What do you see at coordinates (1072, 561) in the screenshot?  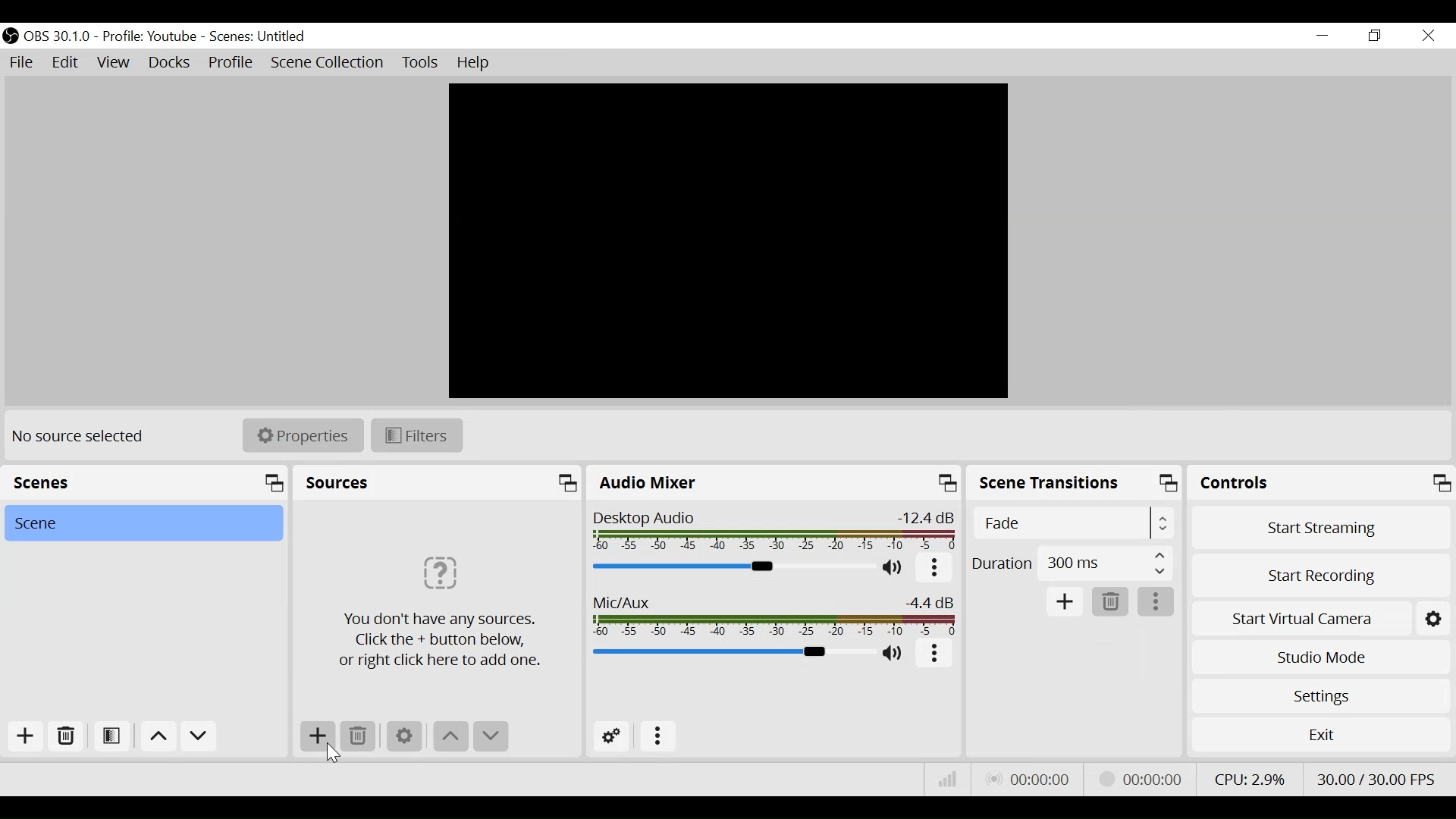 I see `Select Duration` at bounding box center [1072, 561].